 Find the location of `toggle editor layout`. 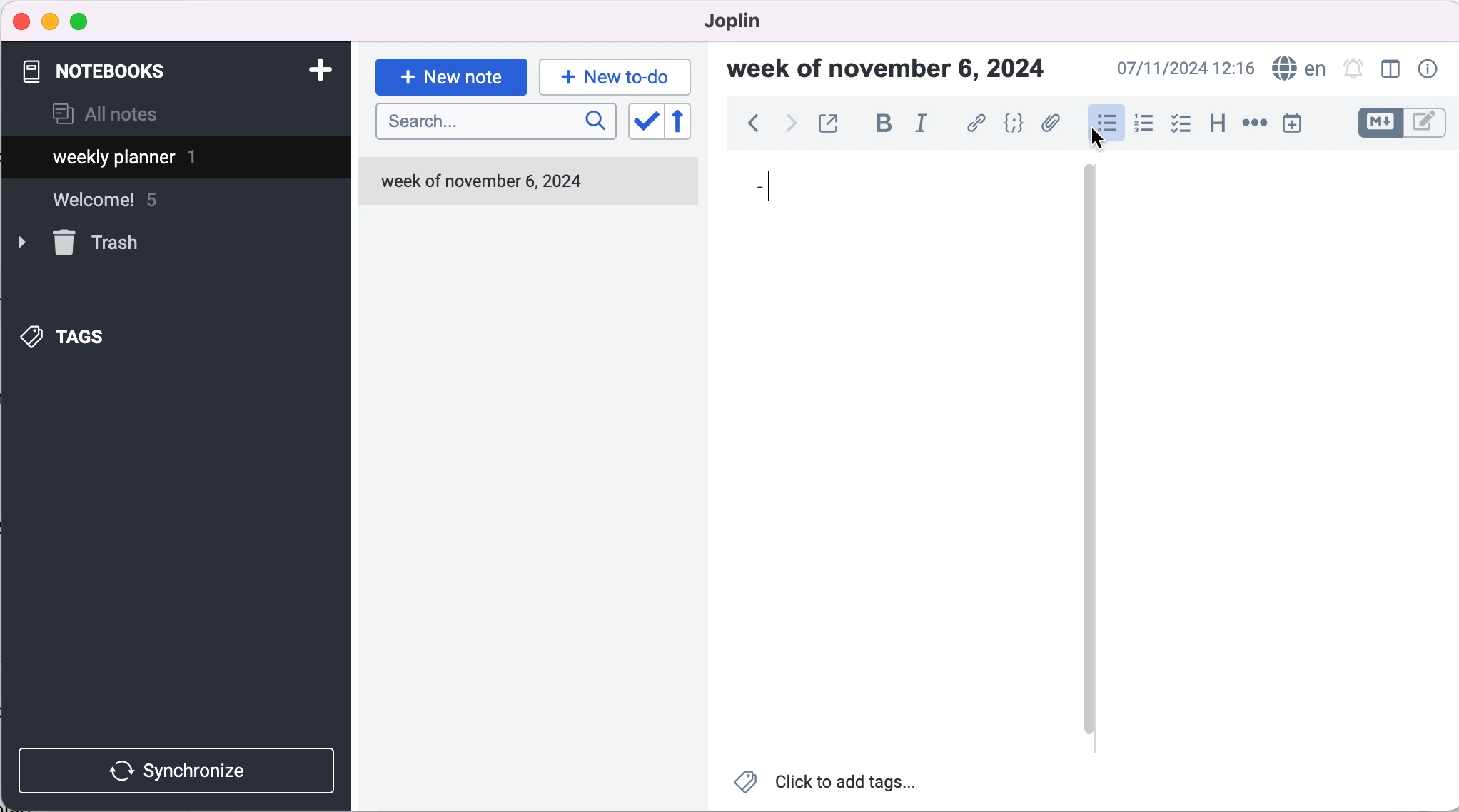

toggle editor layout is located at coordinates (1394, 71).